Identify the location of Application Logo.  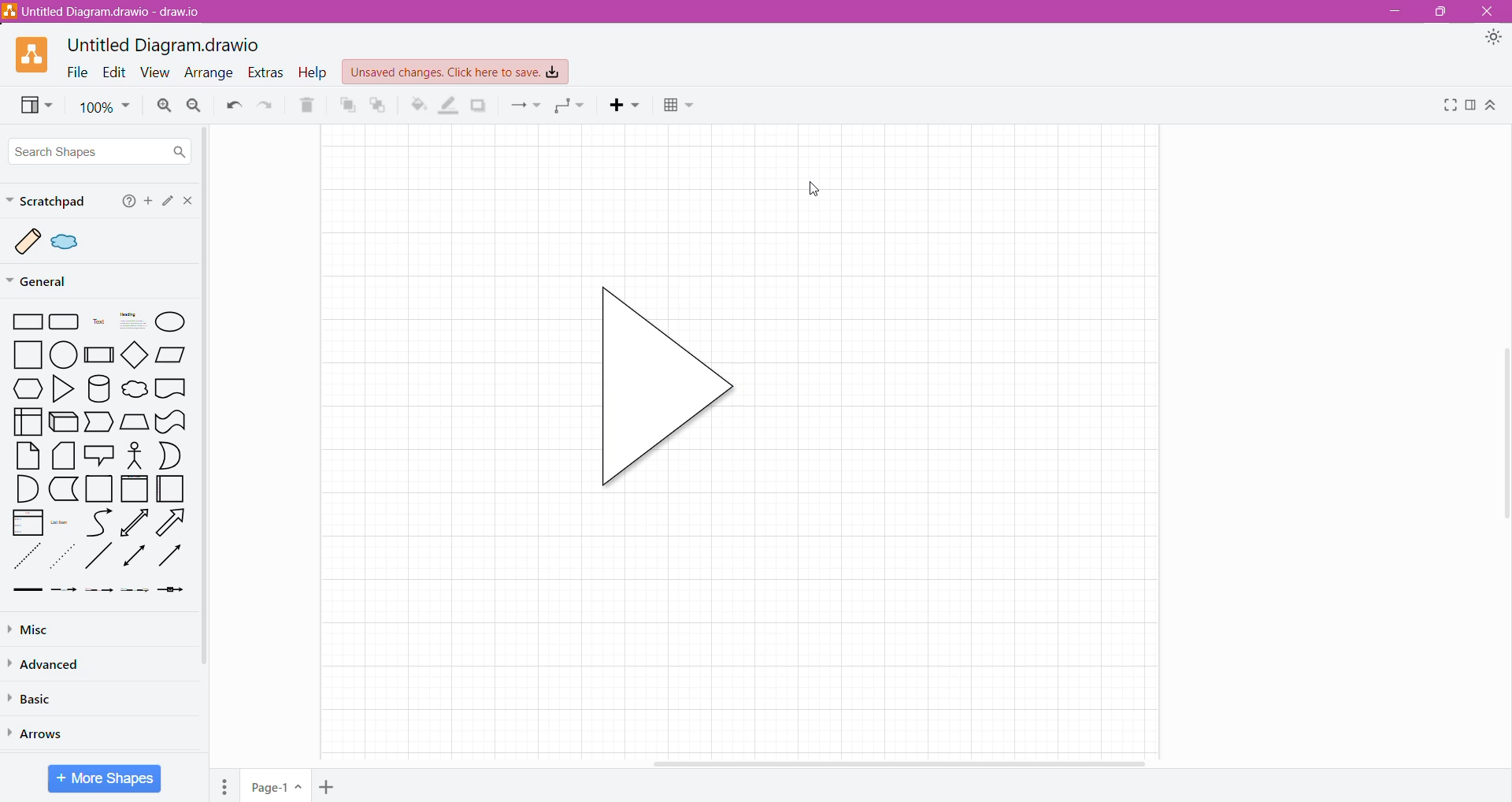
(25, 56).